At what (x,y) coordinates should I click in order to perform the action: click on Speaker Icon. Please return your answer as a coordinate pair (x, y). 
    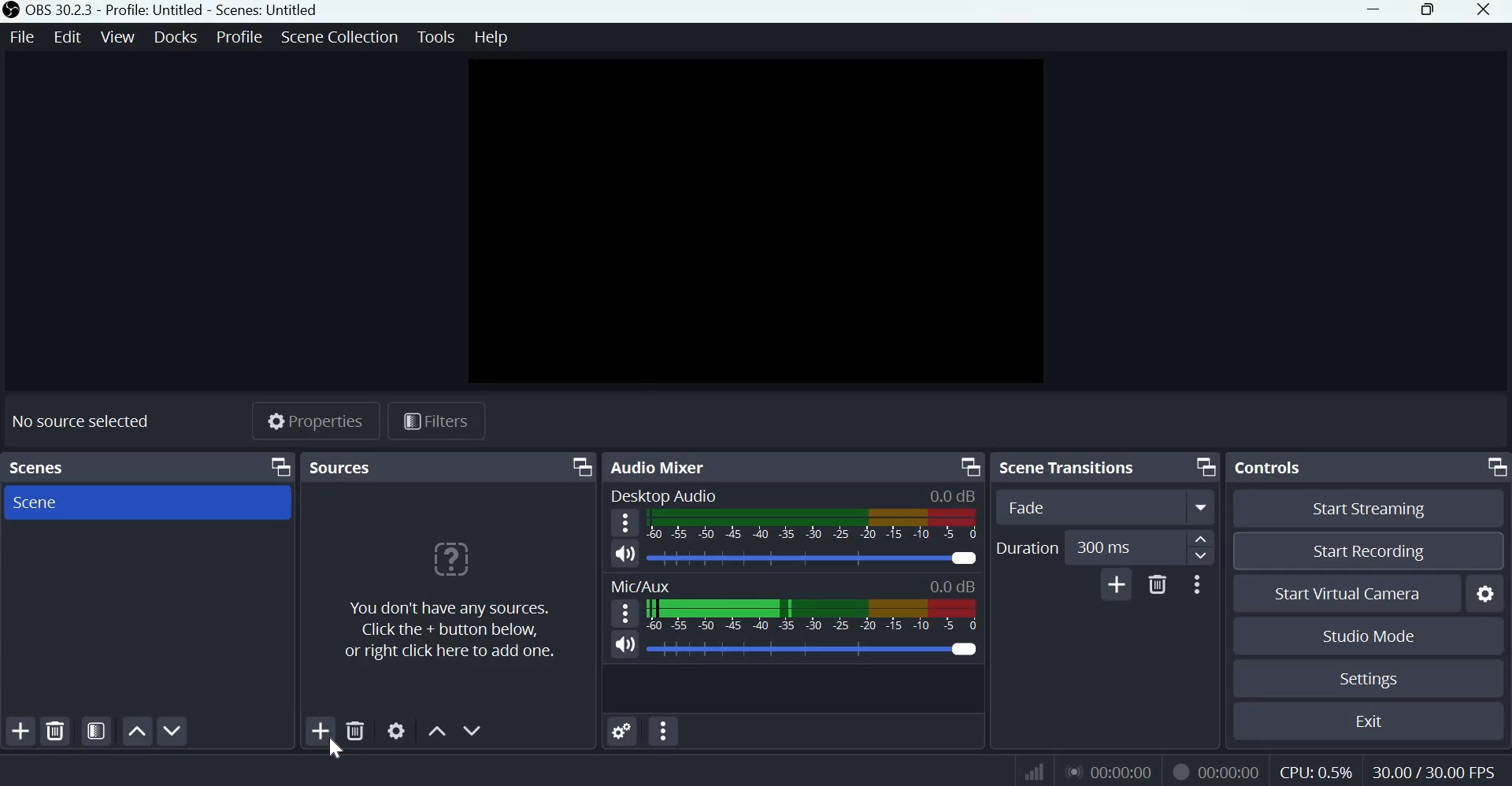
    Looking at the image, I should click on (624, 553).